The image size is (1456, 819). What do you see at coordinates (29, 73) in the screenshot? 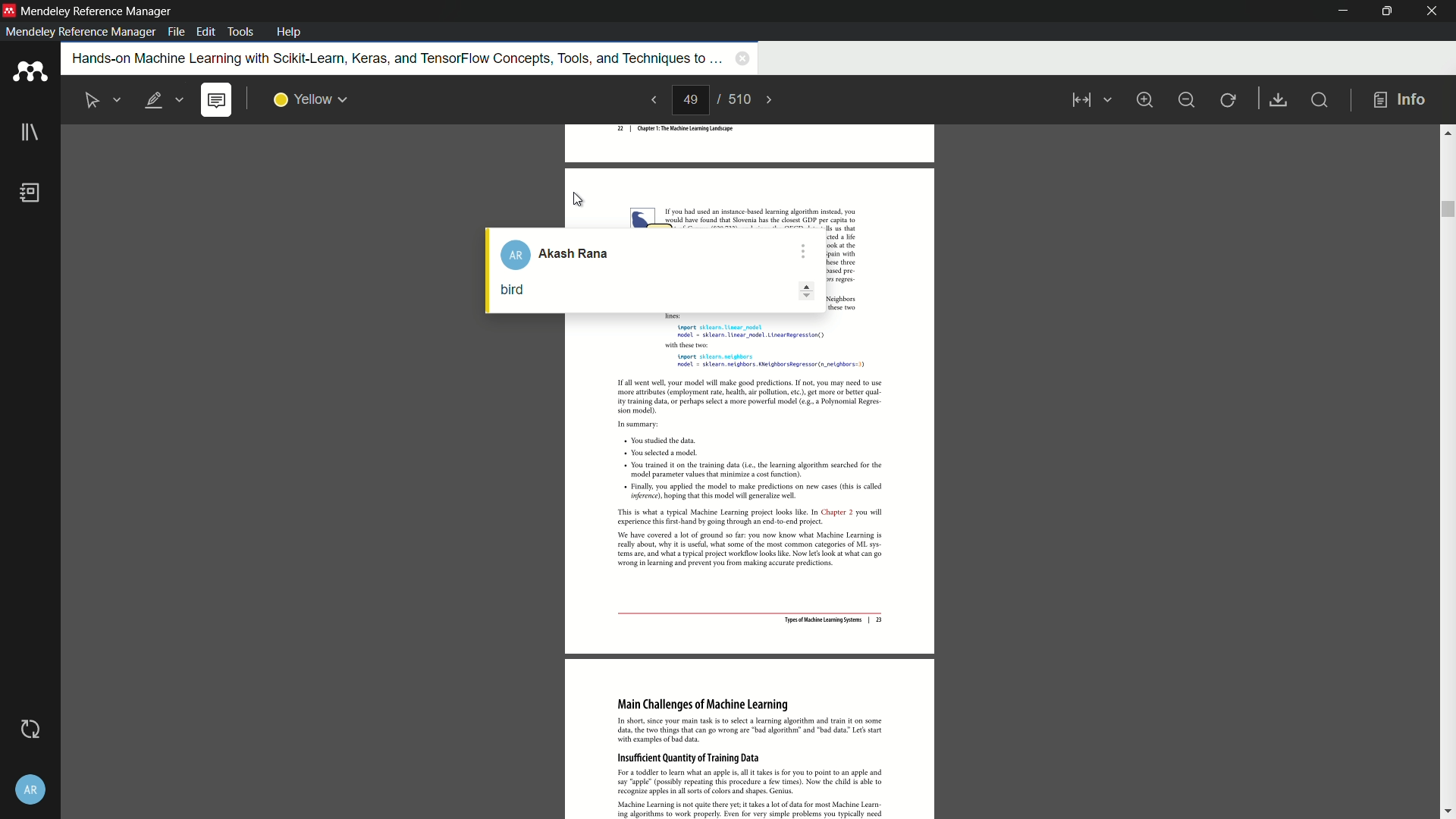
I see `app icon` at bounding box center [29, 73].